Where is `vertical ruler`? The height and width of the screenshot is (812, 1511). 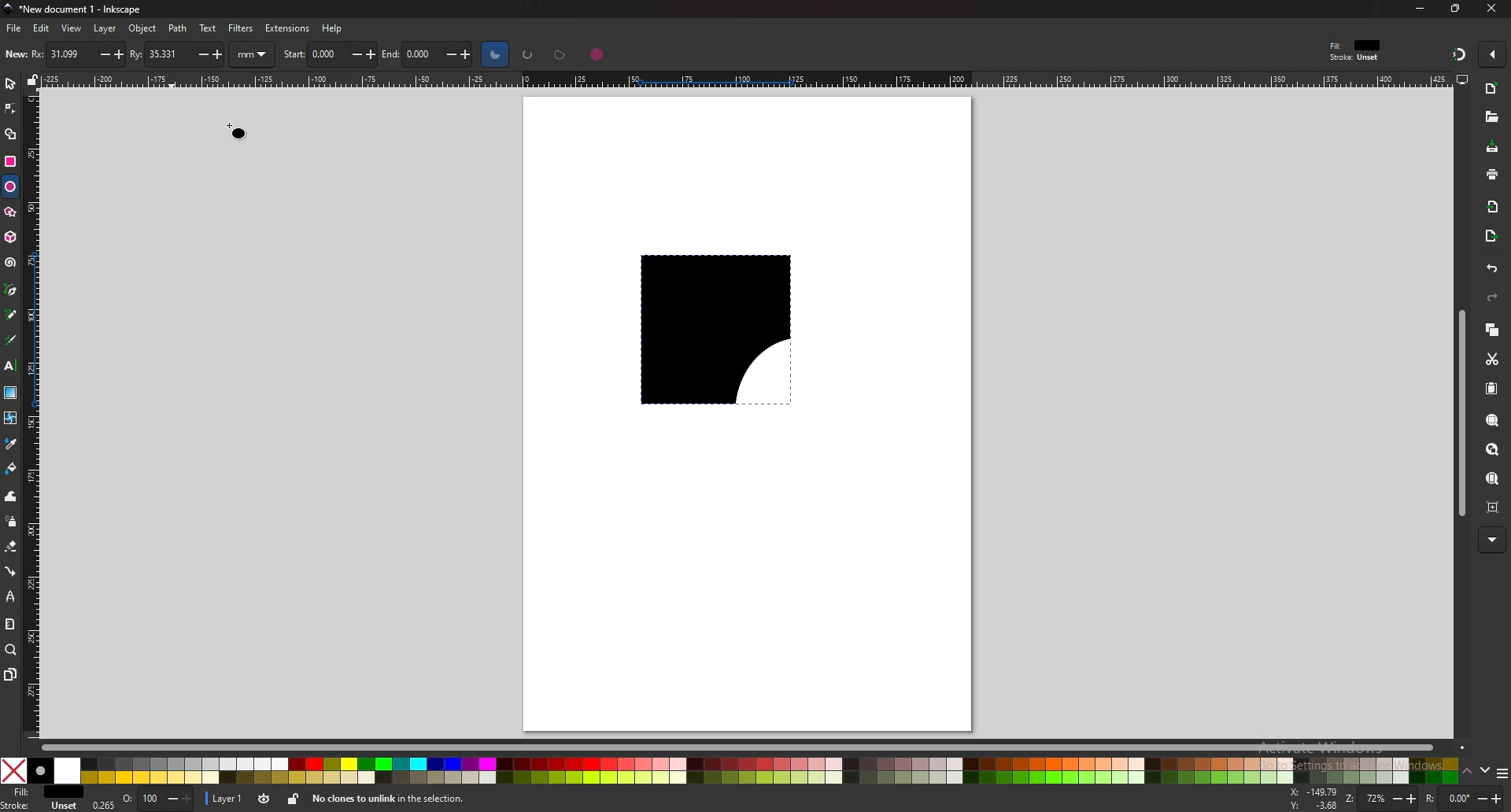
vertical ruler is located at coordinates (35, 413).